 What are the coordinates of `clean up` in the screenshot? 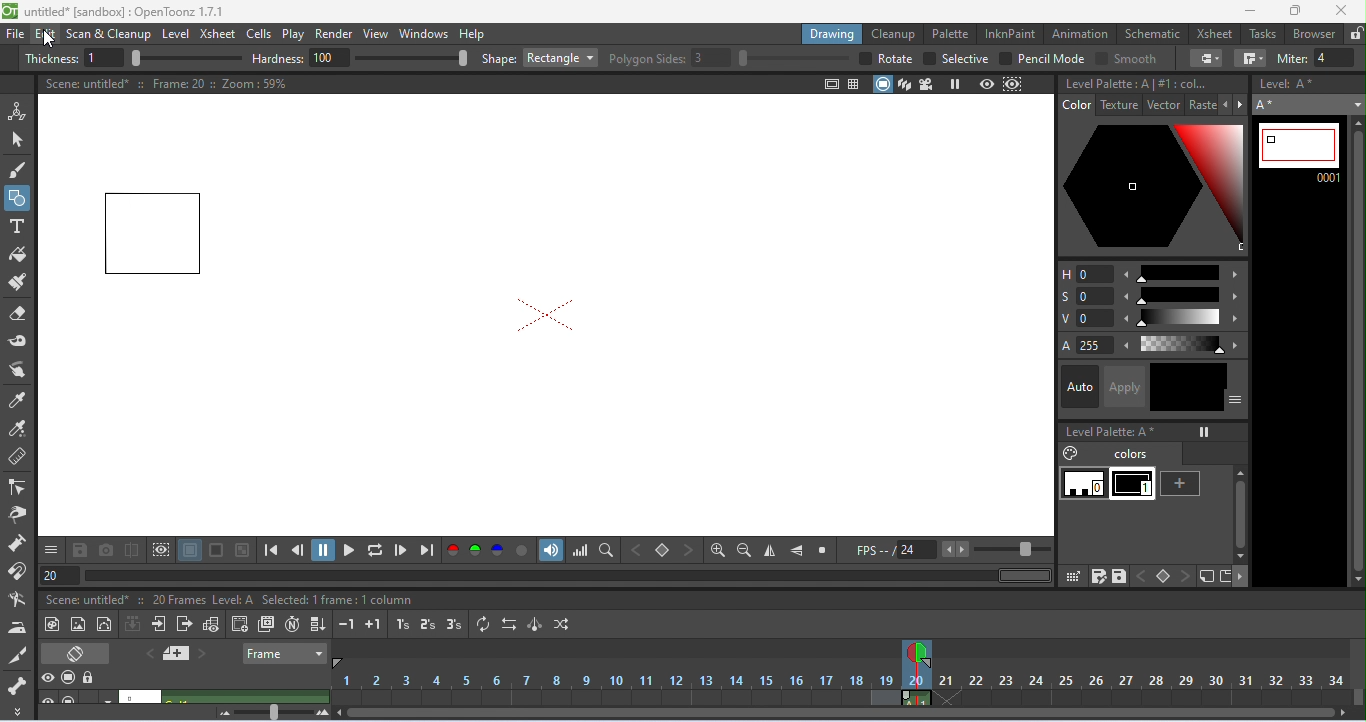 It's located at (893, 35).